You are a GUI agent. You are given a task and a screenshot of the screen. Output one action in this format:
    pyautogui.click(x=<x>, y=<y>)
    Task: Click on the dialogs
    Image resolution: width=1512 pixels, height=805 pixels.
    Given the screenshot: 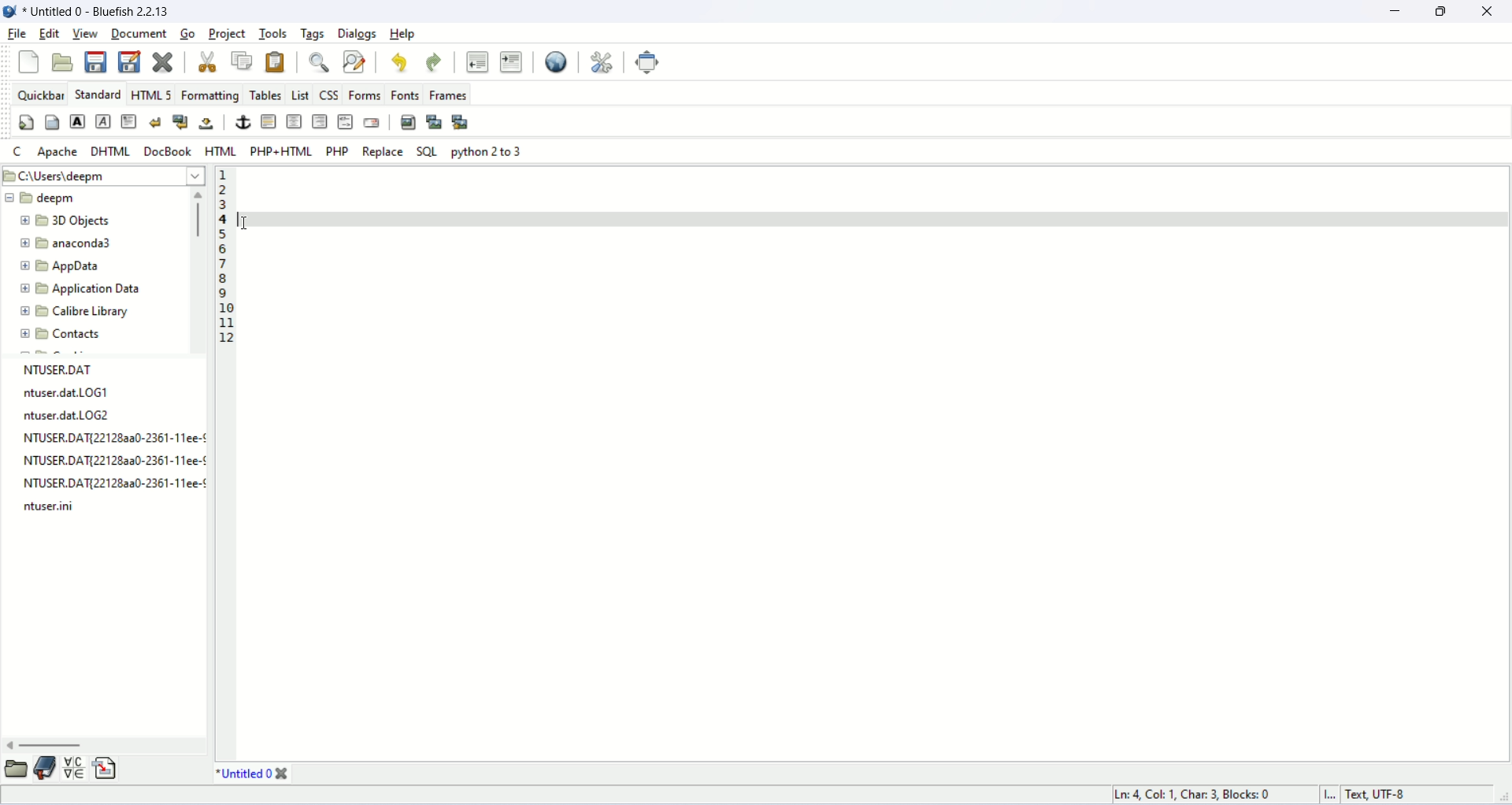 What is the action you would take?
    pyautogui.click(x=356, y=34)
    